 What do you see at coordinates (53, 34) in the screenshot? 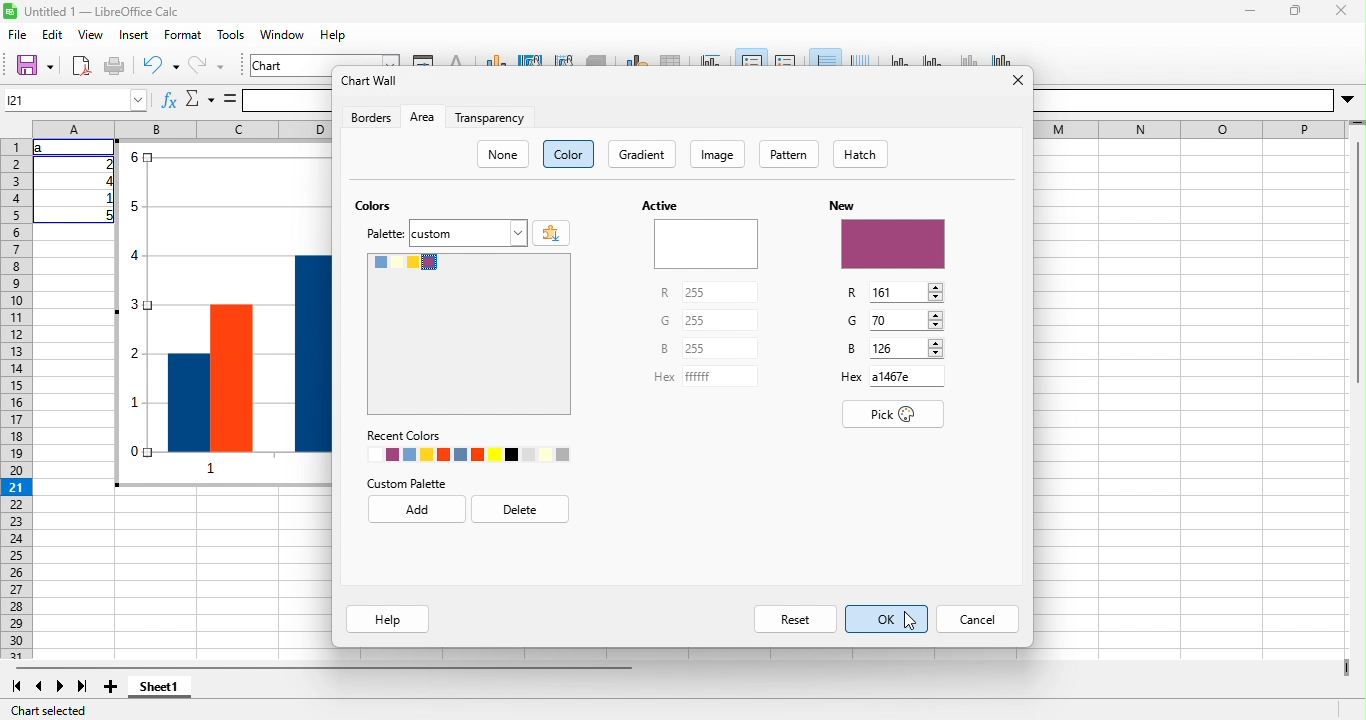
I see `edit` at bounding box center [53, 34].